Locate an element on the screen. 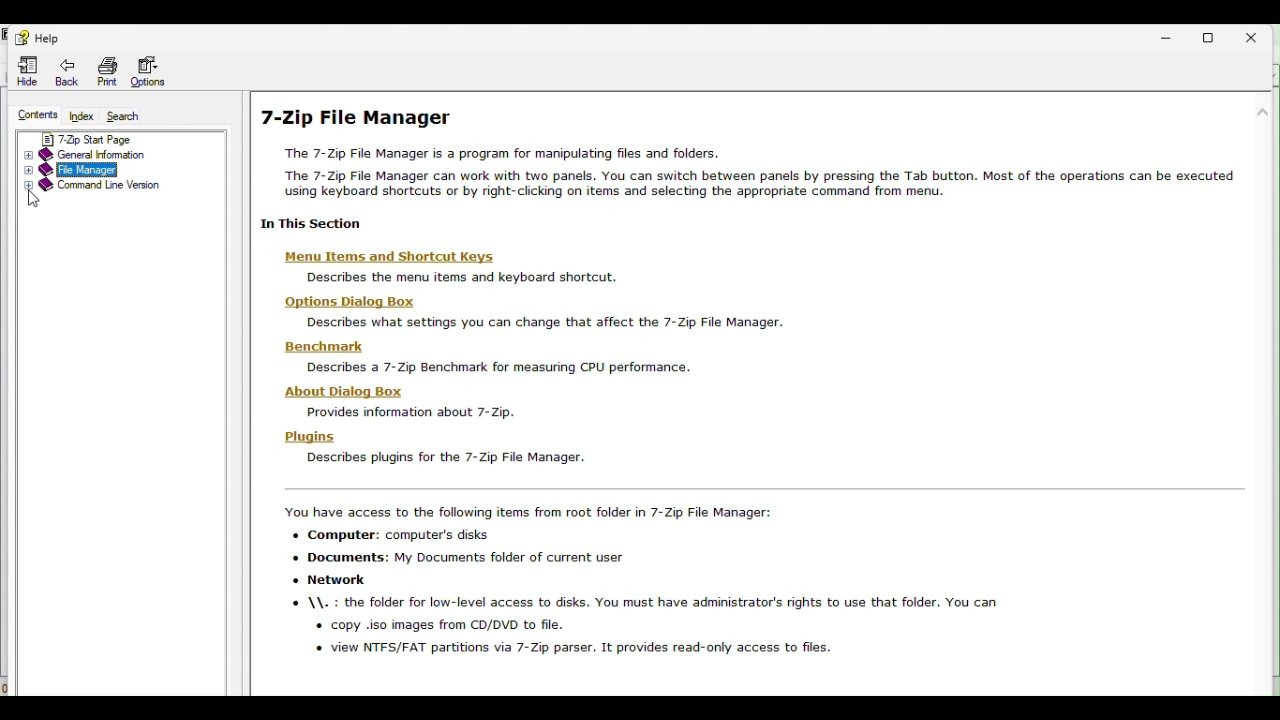  About Dialog Box is located at coordinates (356, 391).